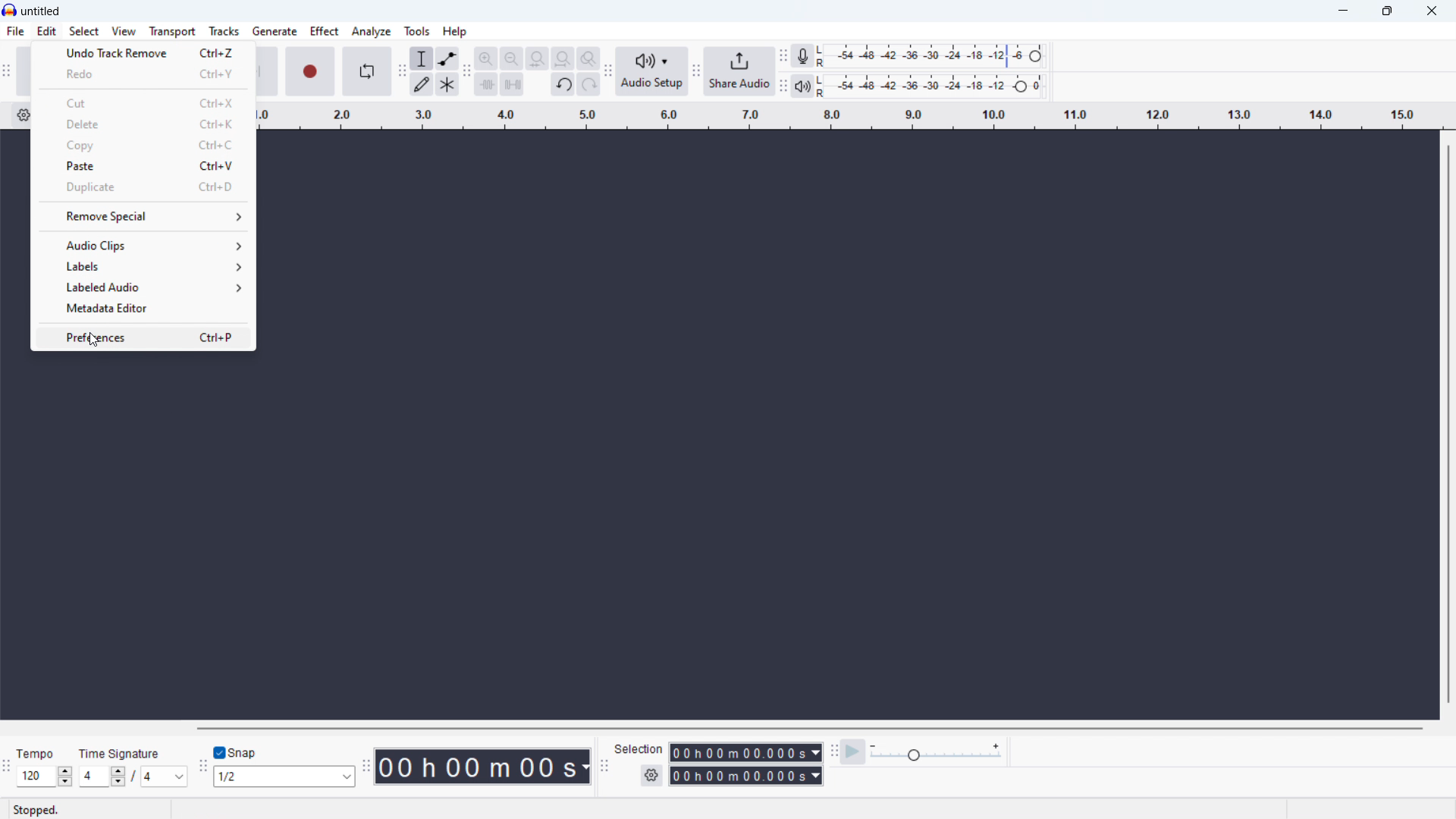  What do you see at coordinates (745, 752) in the screenshot?
I see `start time` at bounding box center [745, 752].